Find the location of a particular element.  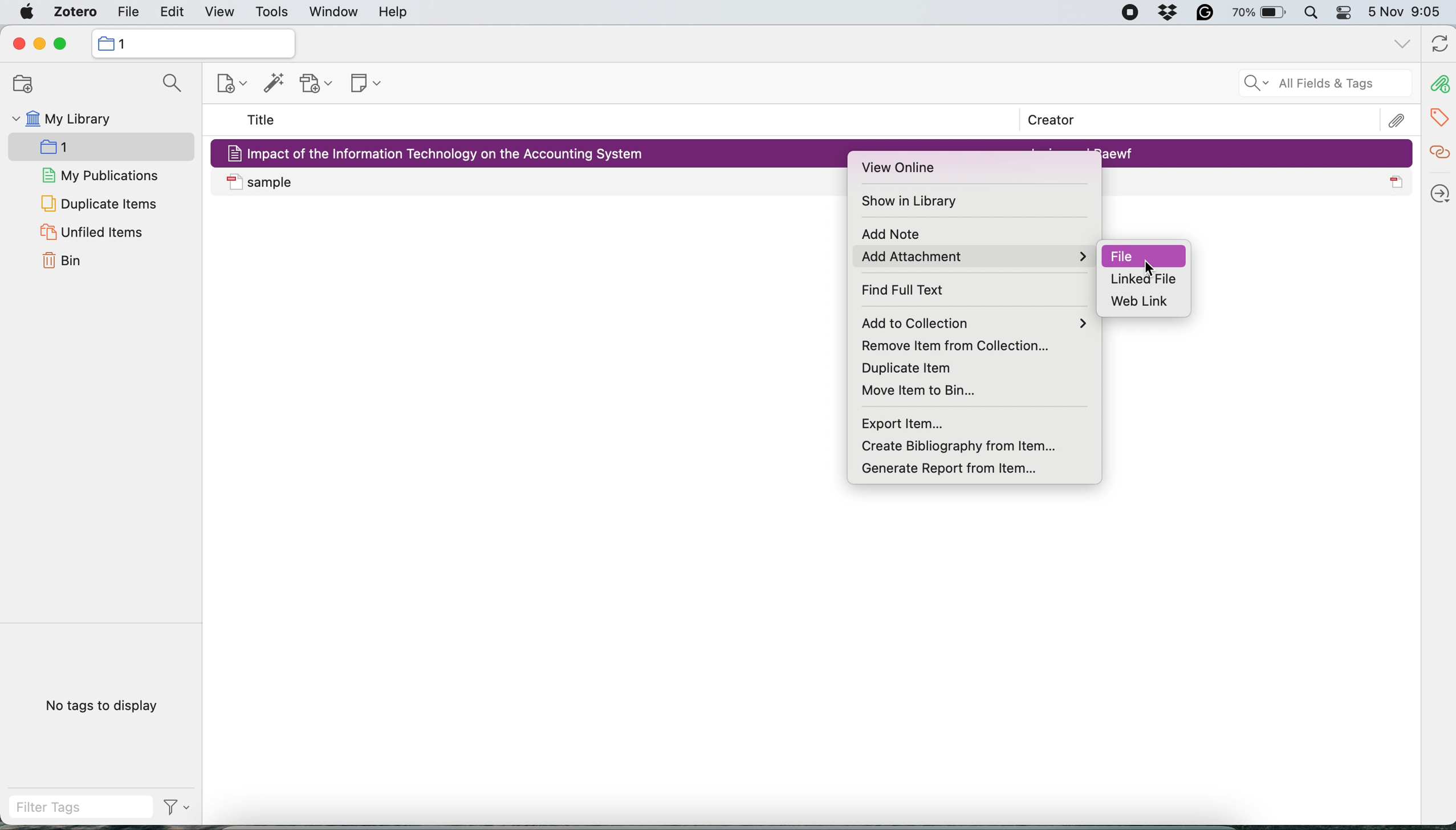

view online is located at coordinates (904, 169).